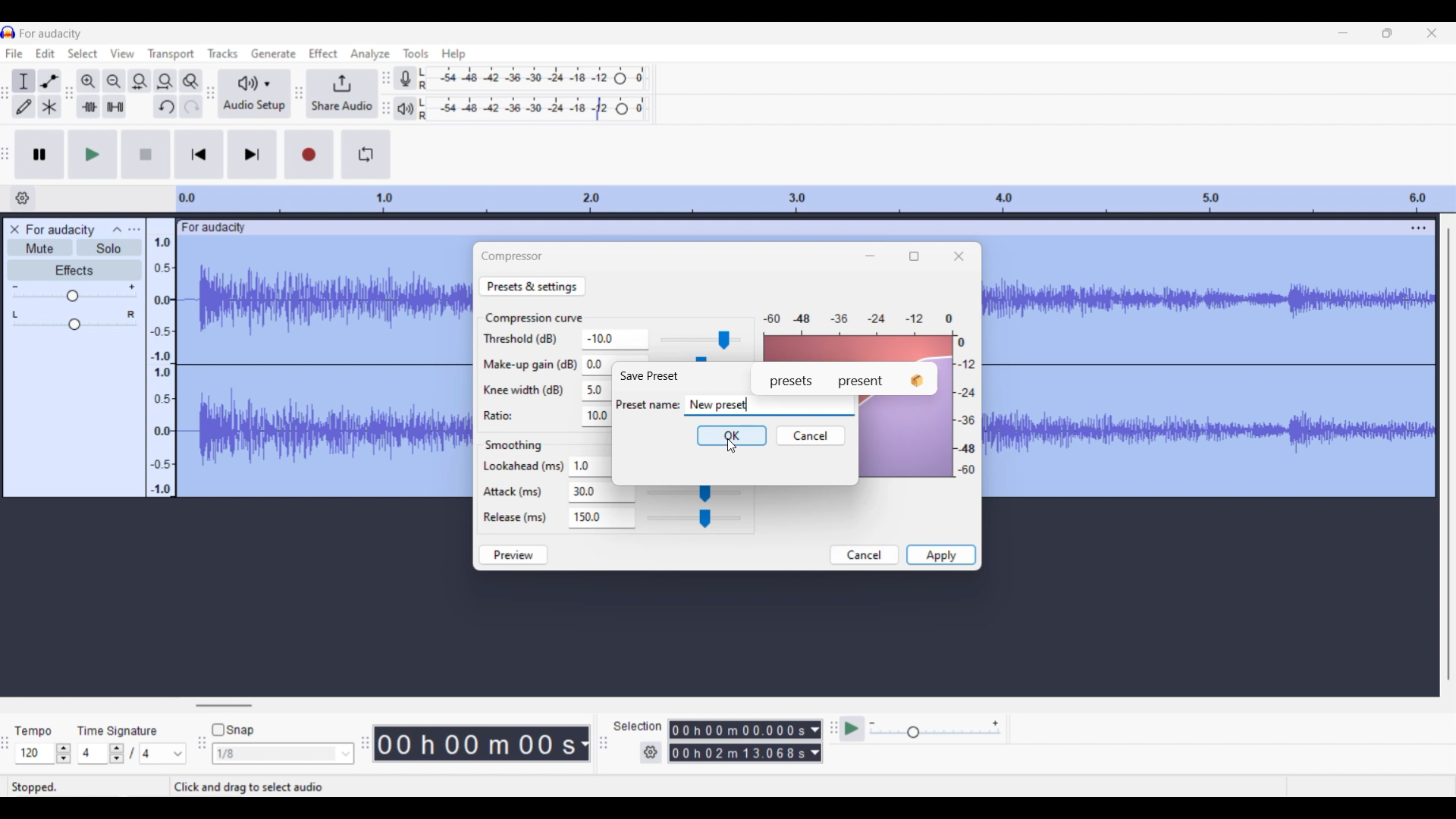 The height and width of the screenshot is (819, 1456). Describe the element at coordinates (40, 155) in the screenshot. I see `Pause` at that location.